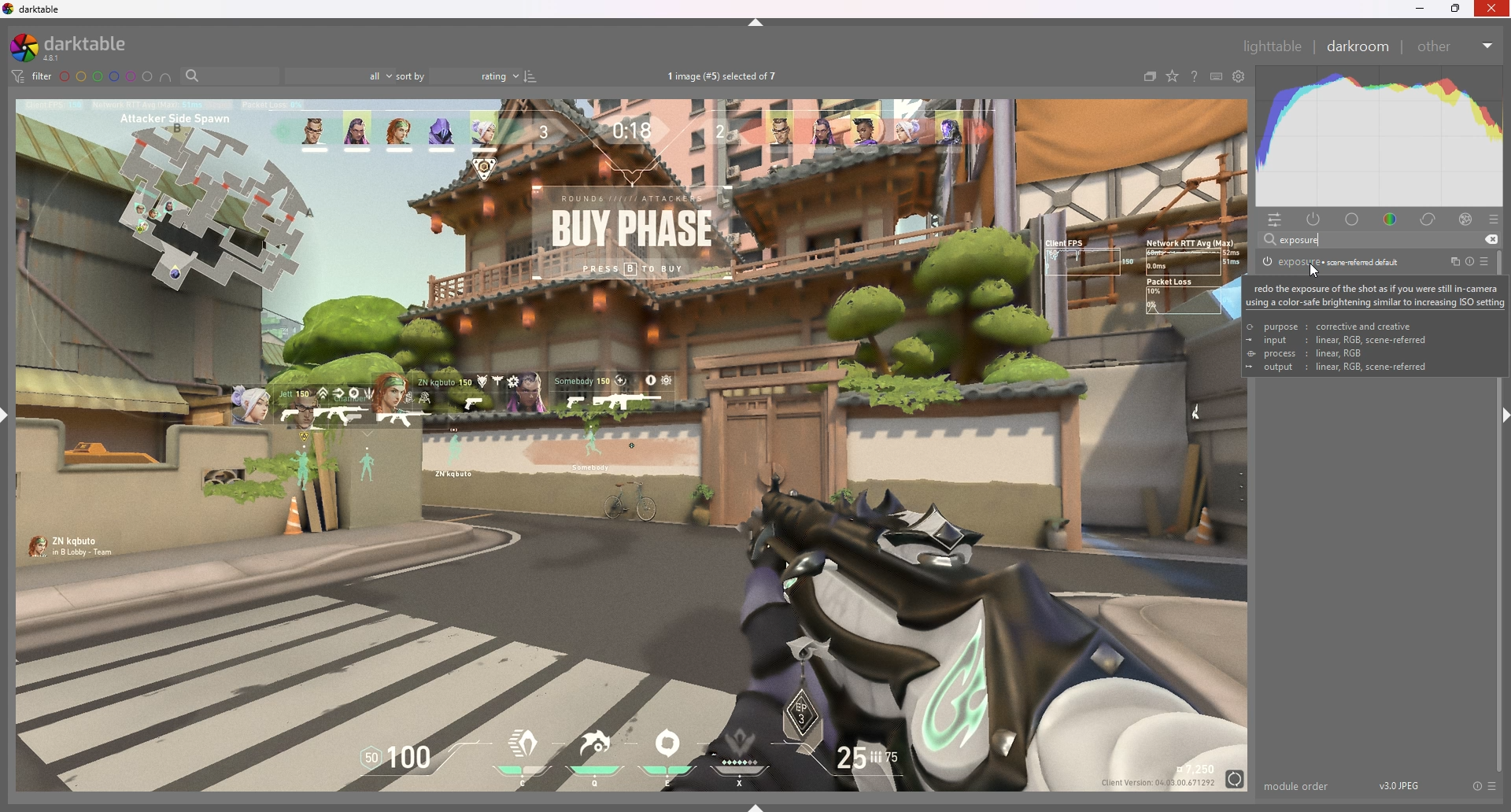 The height and width of the screenshot is (812, 1511). What do you see at coordinates (634, 445) in the screenshot?
I see `image` at bounding box center [634, 445].